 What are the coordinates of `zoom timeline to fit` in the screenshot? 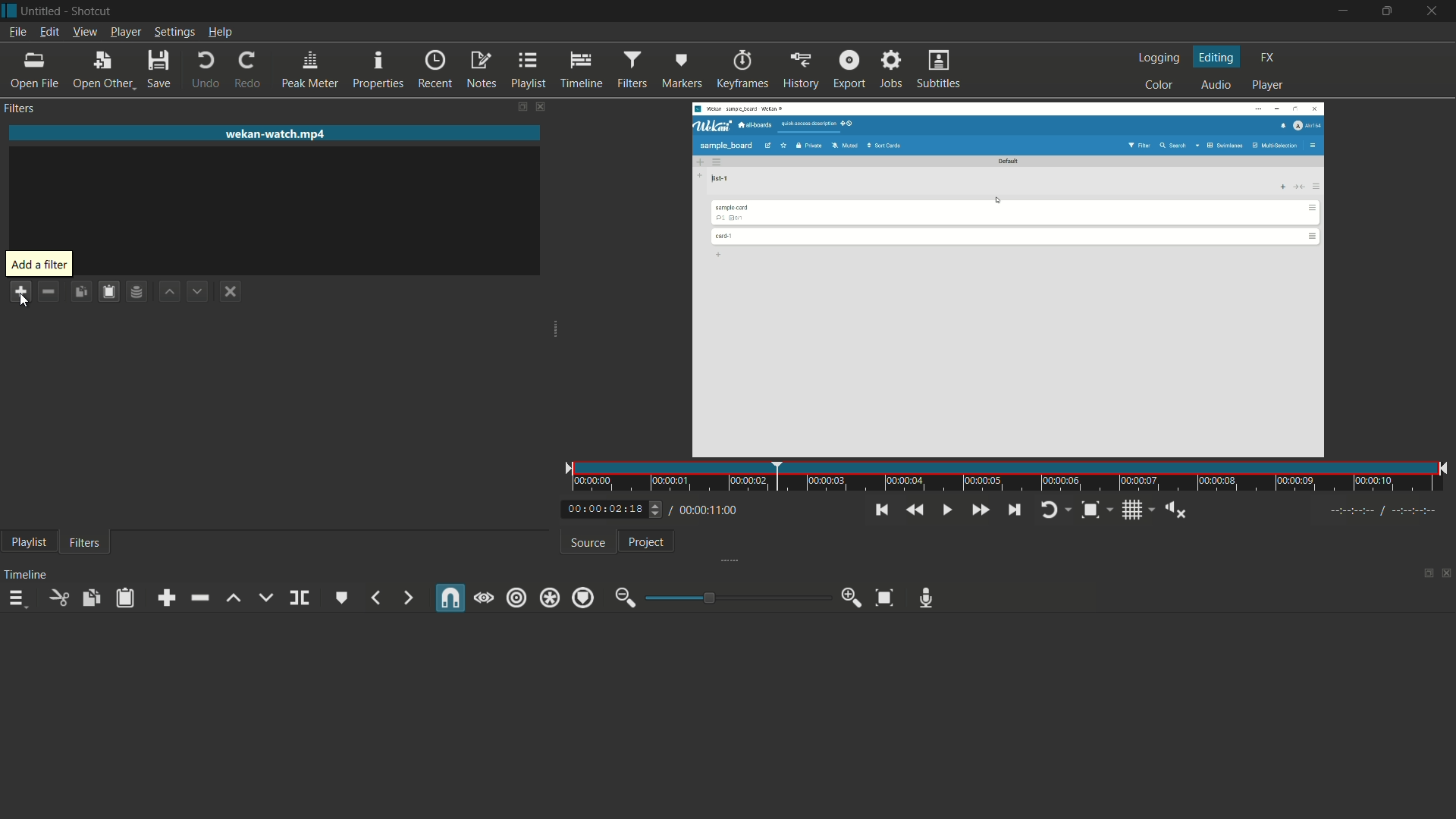 It's located at (885, 597).